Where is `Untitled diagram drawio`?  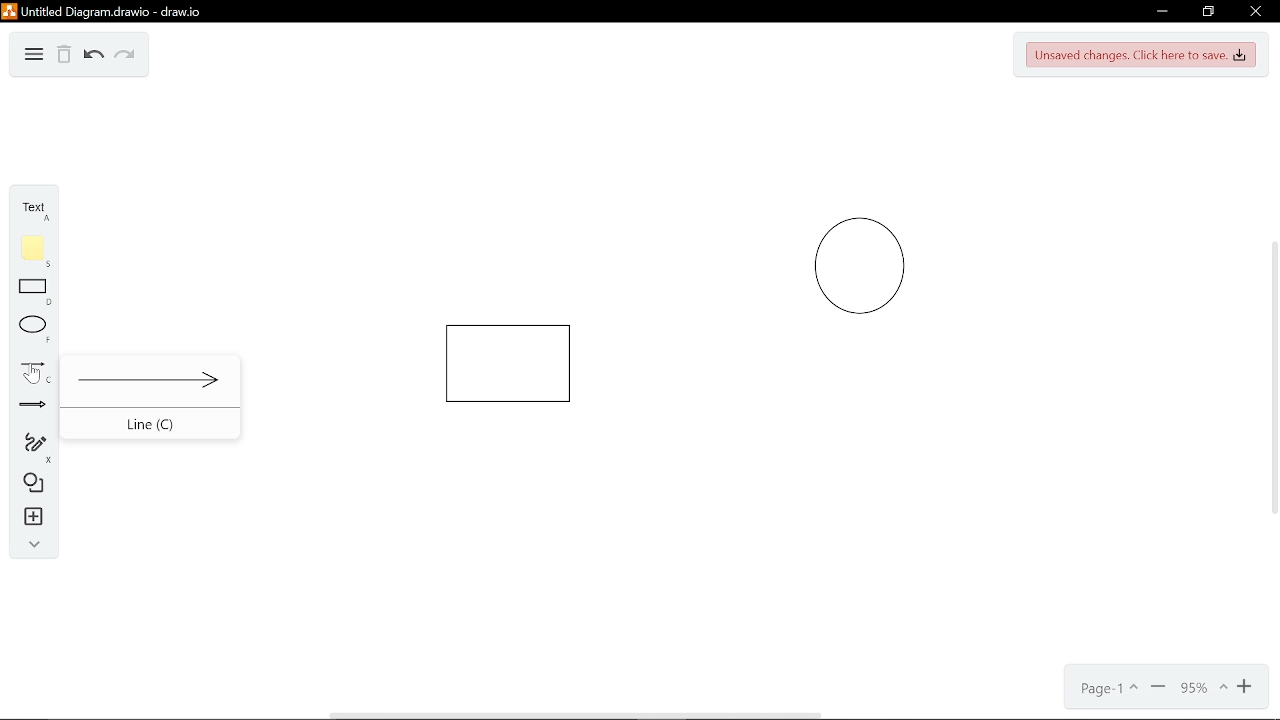
Untitled diagram drawio is located at coordinates (104, 13).